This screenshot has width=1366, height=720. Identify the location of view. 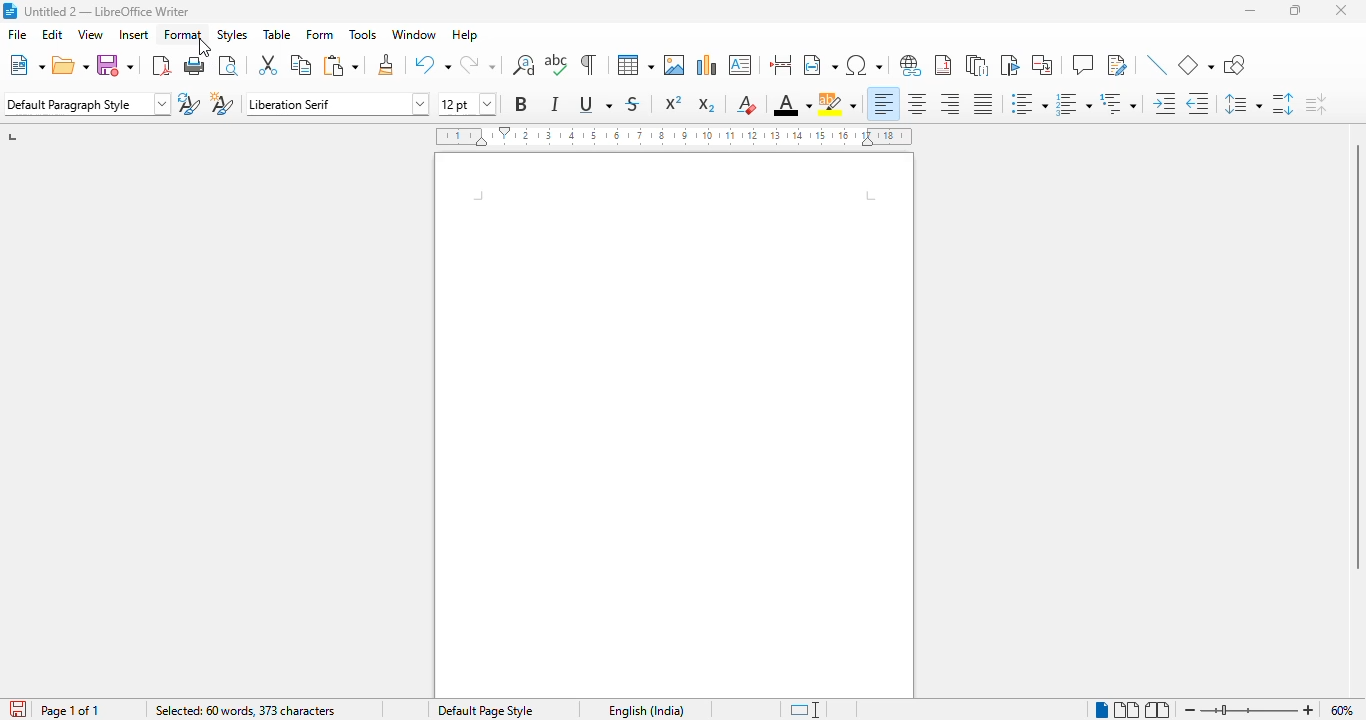
(90, 34).